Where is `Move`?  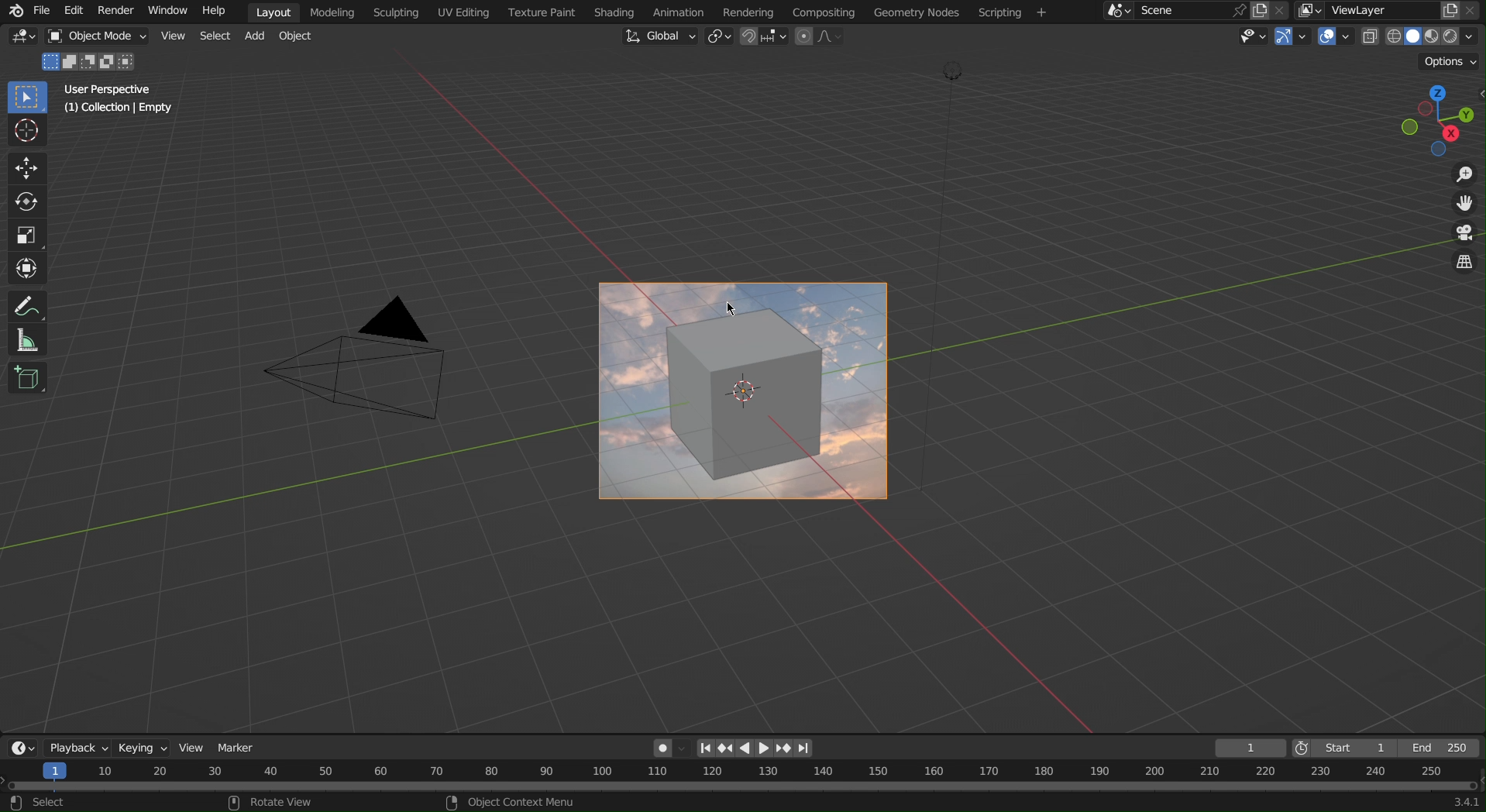
Move is located at coordinates (24, 169).